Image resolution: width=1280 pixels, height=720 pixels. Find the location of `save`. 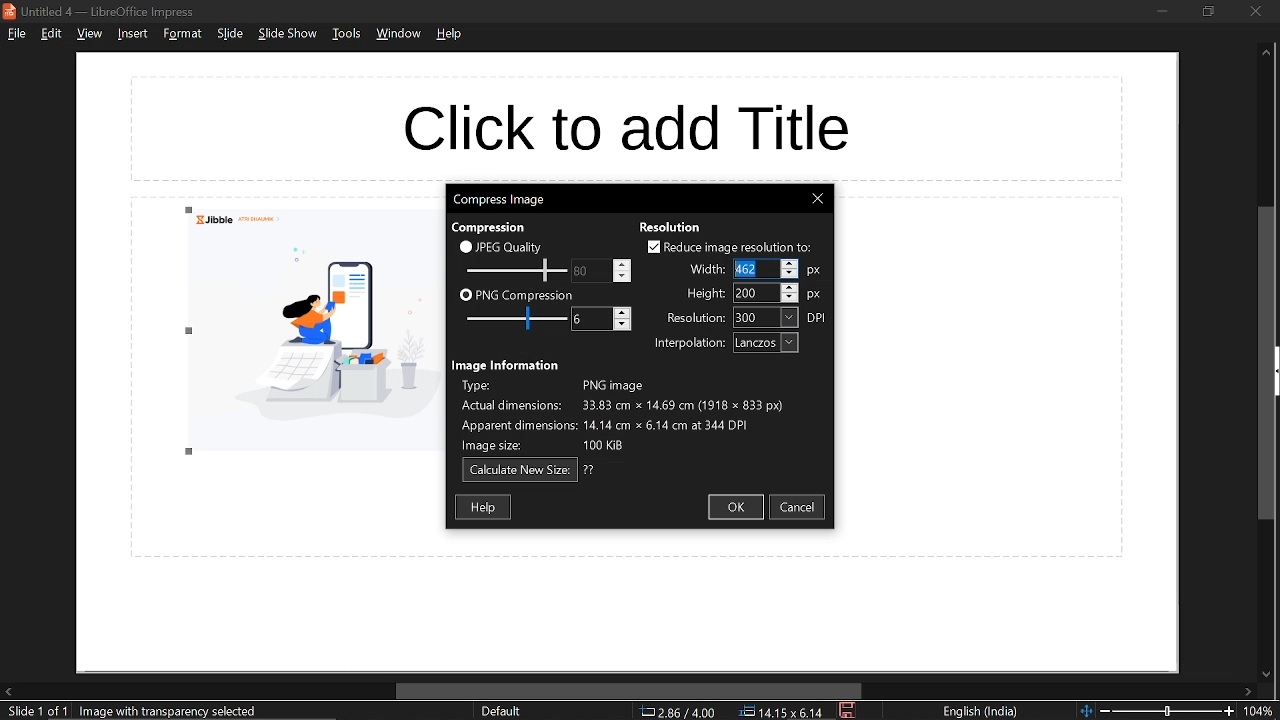

save is located at coordinates (849, 711).